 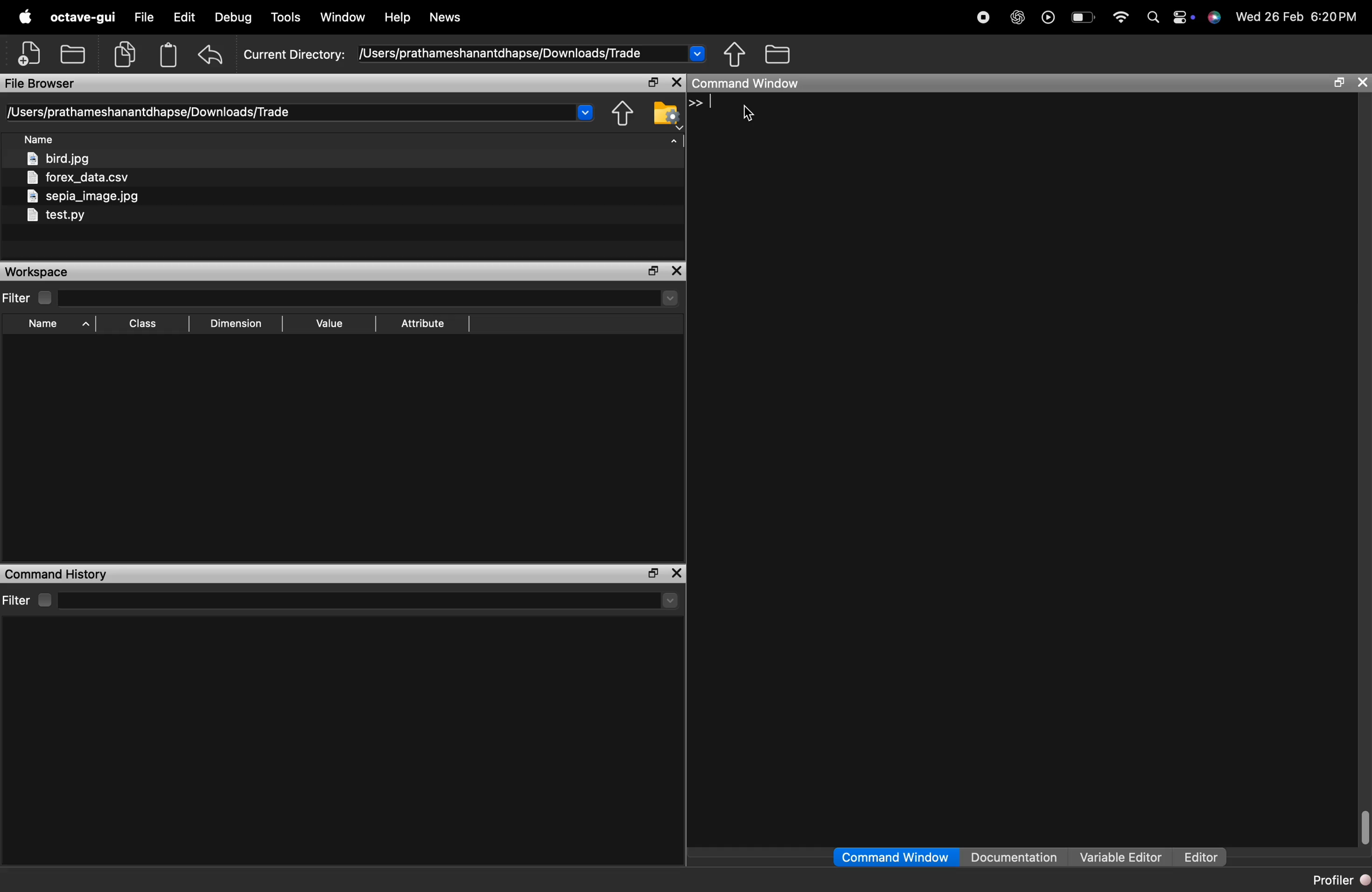 What do you see at coordinates (29, 53) in the screenshot?
I see `New file` at bounding box center [29, 53].